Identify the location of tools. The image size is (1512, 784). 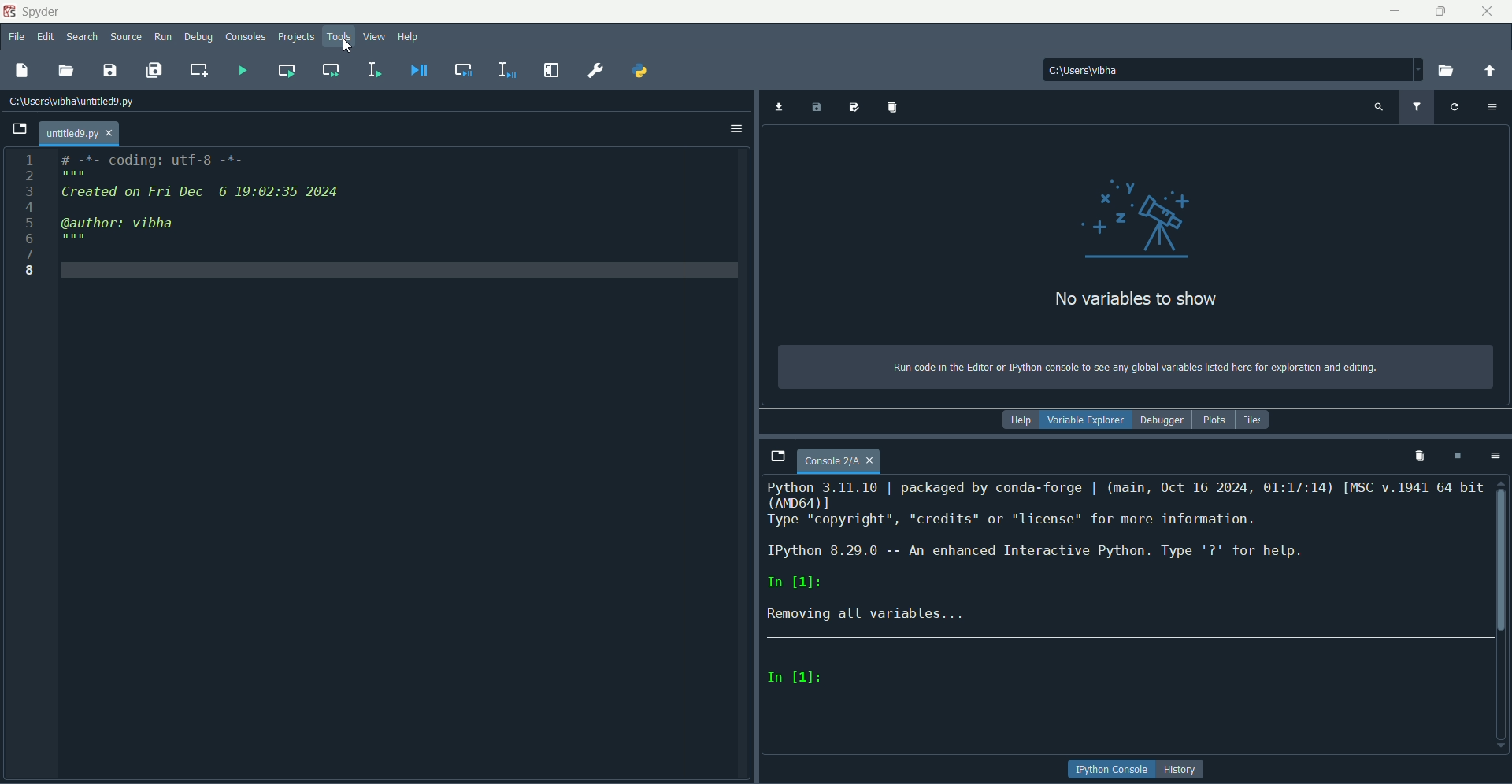
(341, 36).